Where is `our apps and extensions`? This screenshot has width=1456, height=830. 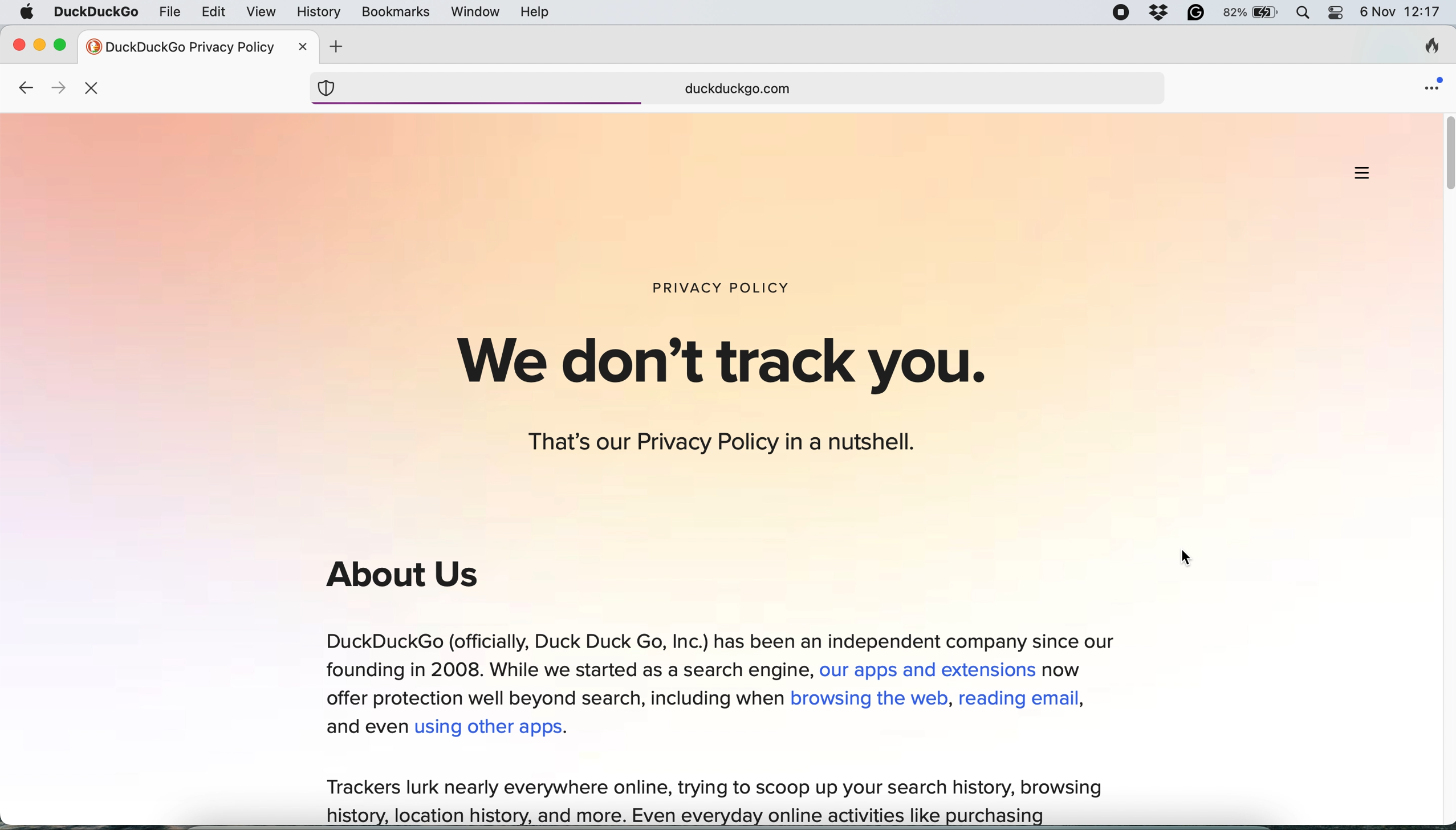
our apps and extensions is located at coordinates (929, 671).